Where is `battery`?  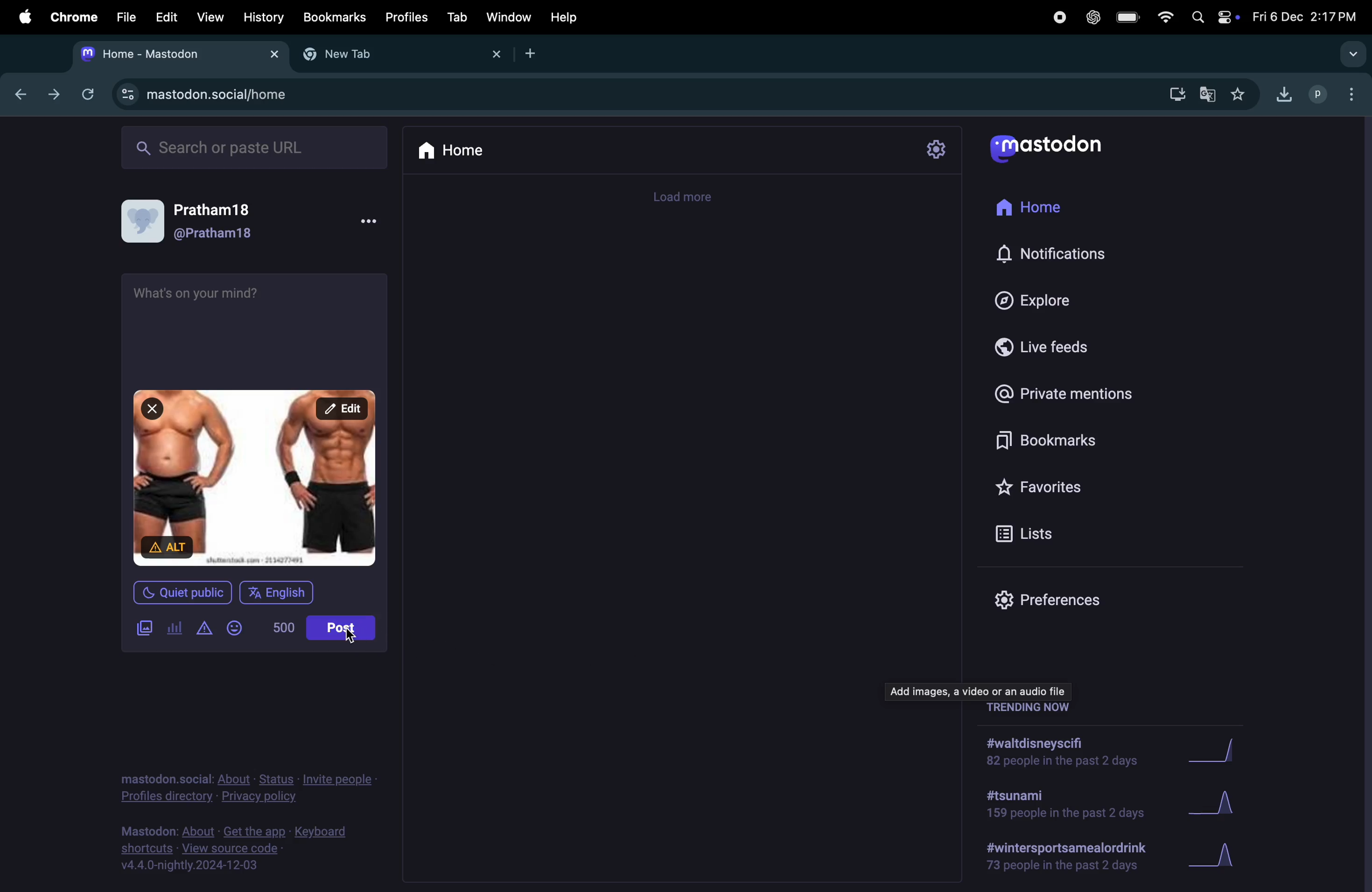 battery is located at coordinates (1129, 18).